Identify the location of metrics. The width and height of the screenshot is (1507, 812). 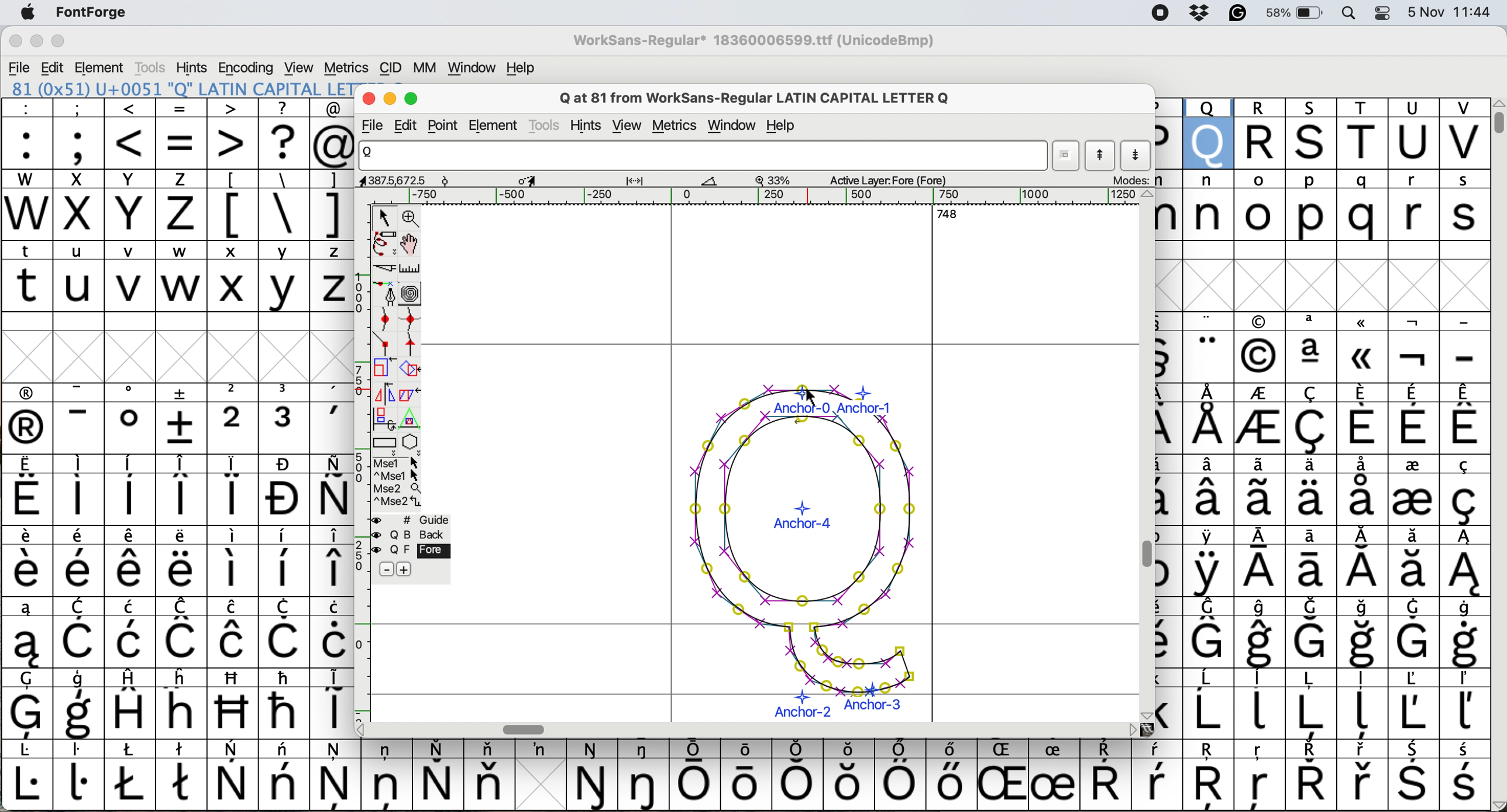
(677, 127).